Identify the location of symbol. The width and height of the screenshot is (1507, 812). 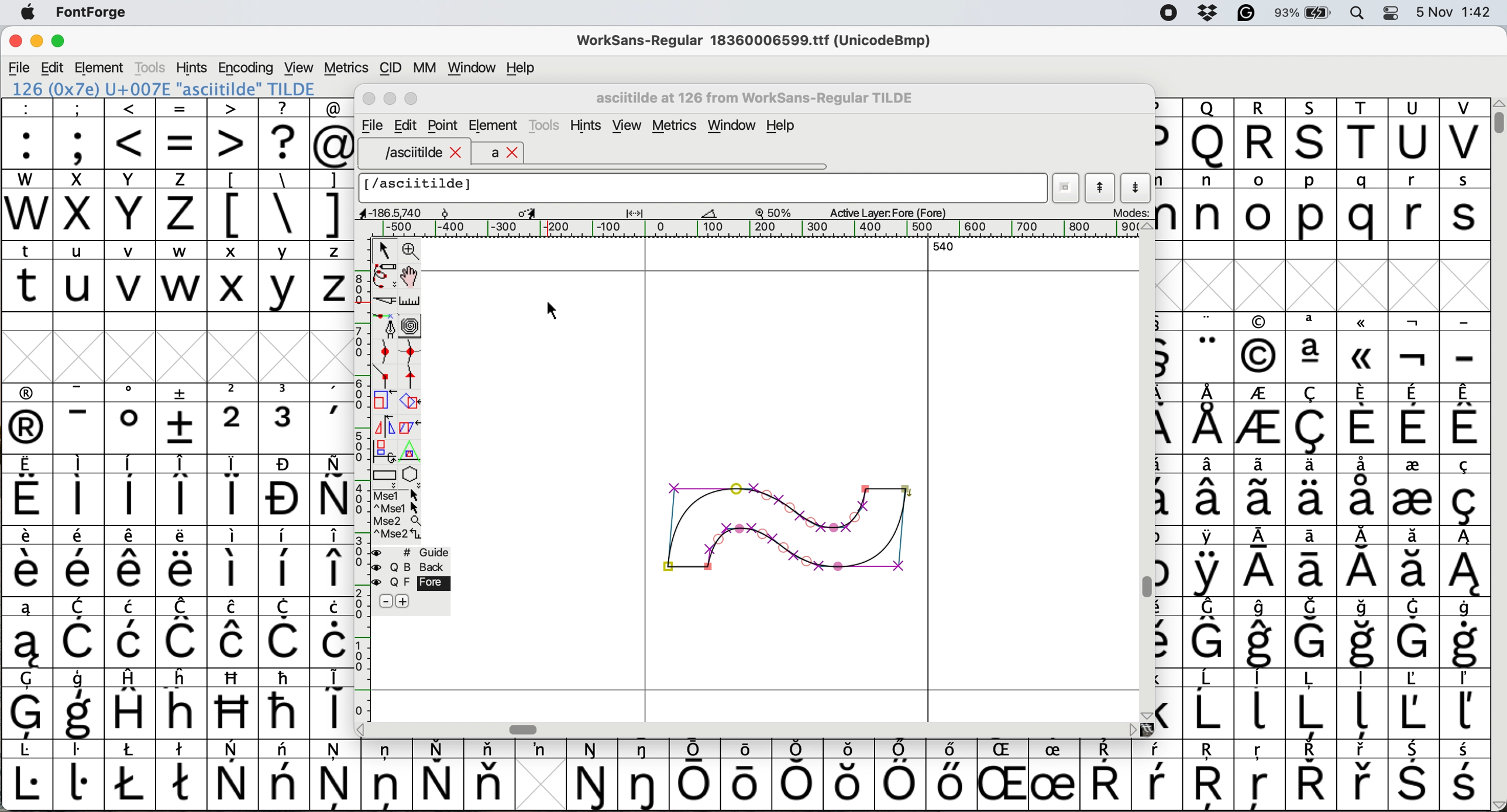
(646, 775).